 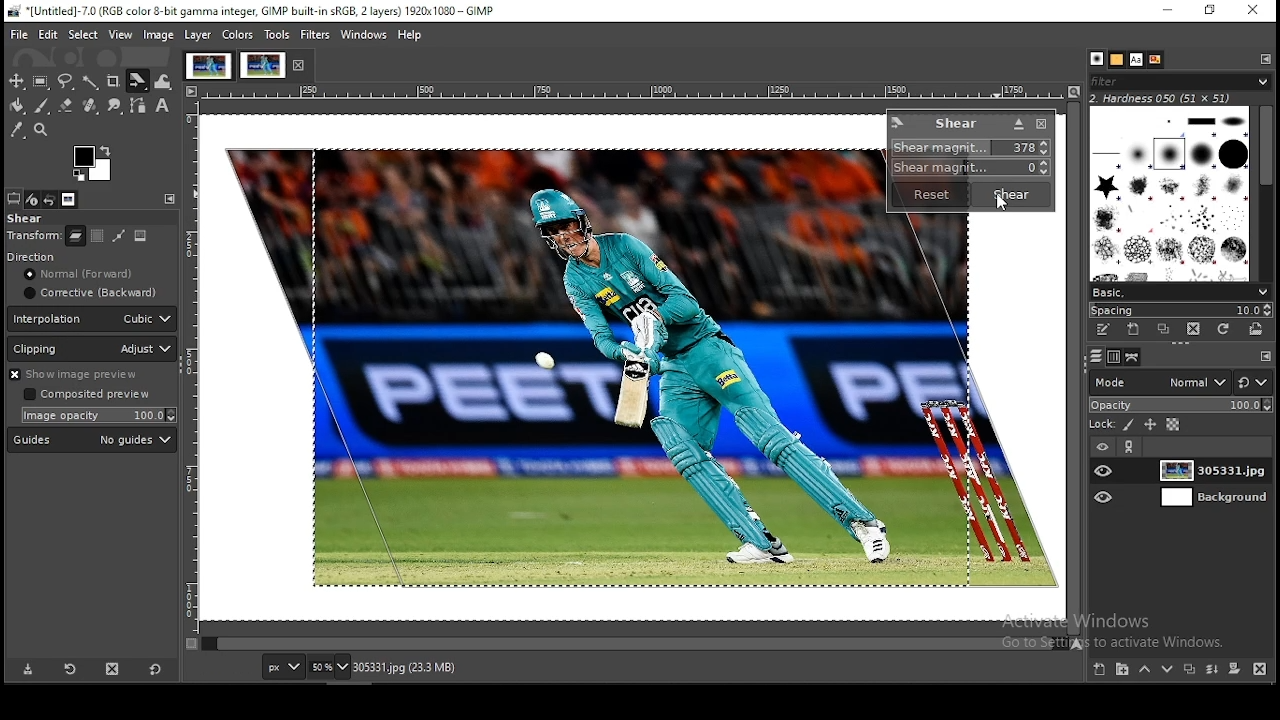 What do you see at coordinates (169, 199) in the screenshot?
I see `configure this tab` at bounding box center [169, 199].